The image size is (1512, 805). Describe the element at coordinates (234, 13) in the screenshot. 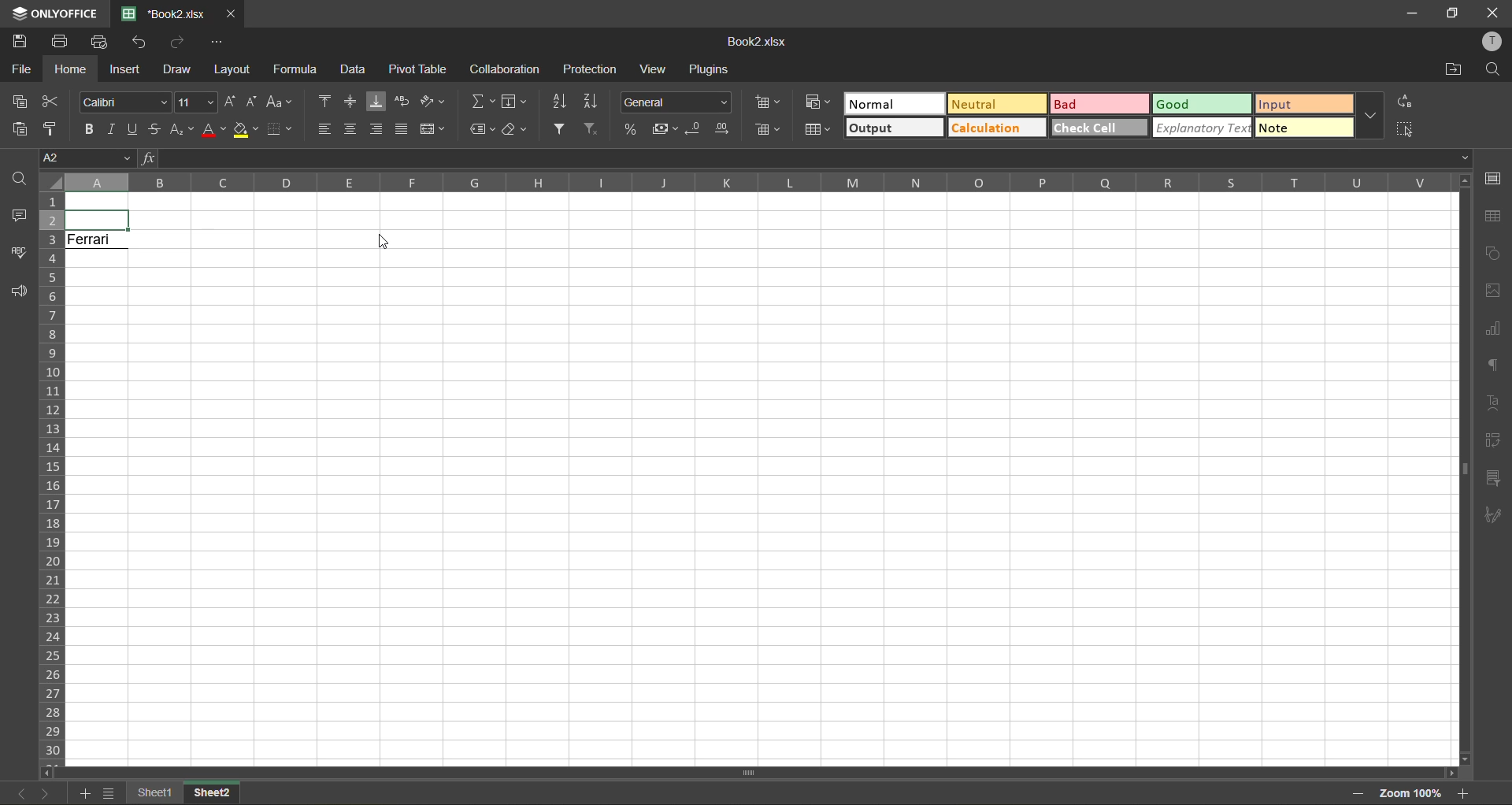

I see `close` at that location.